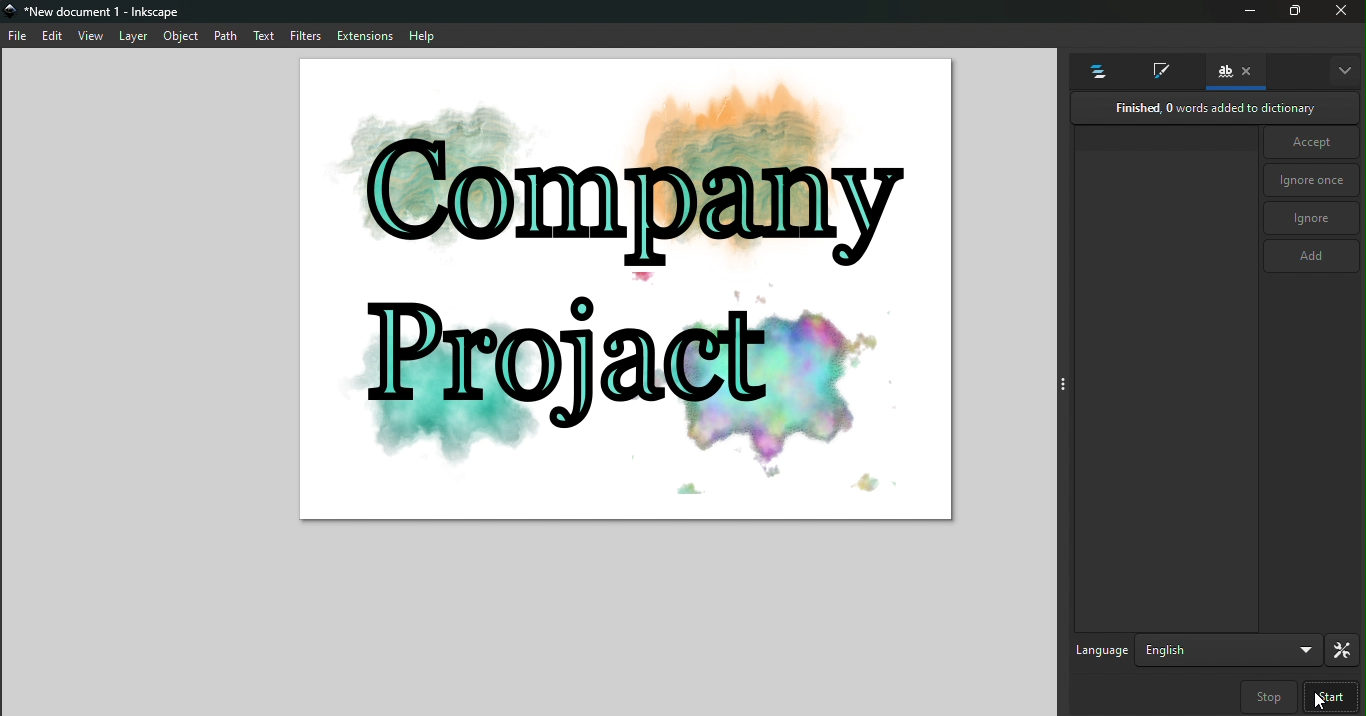 The width and height of the screenshot is (1366, 716). Describe the element at coordinates (264, 35) in the screenshot. I see `text` at that location.